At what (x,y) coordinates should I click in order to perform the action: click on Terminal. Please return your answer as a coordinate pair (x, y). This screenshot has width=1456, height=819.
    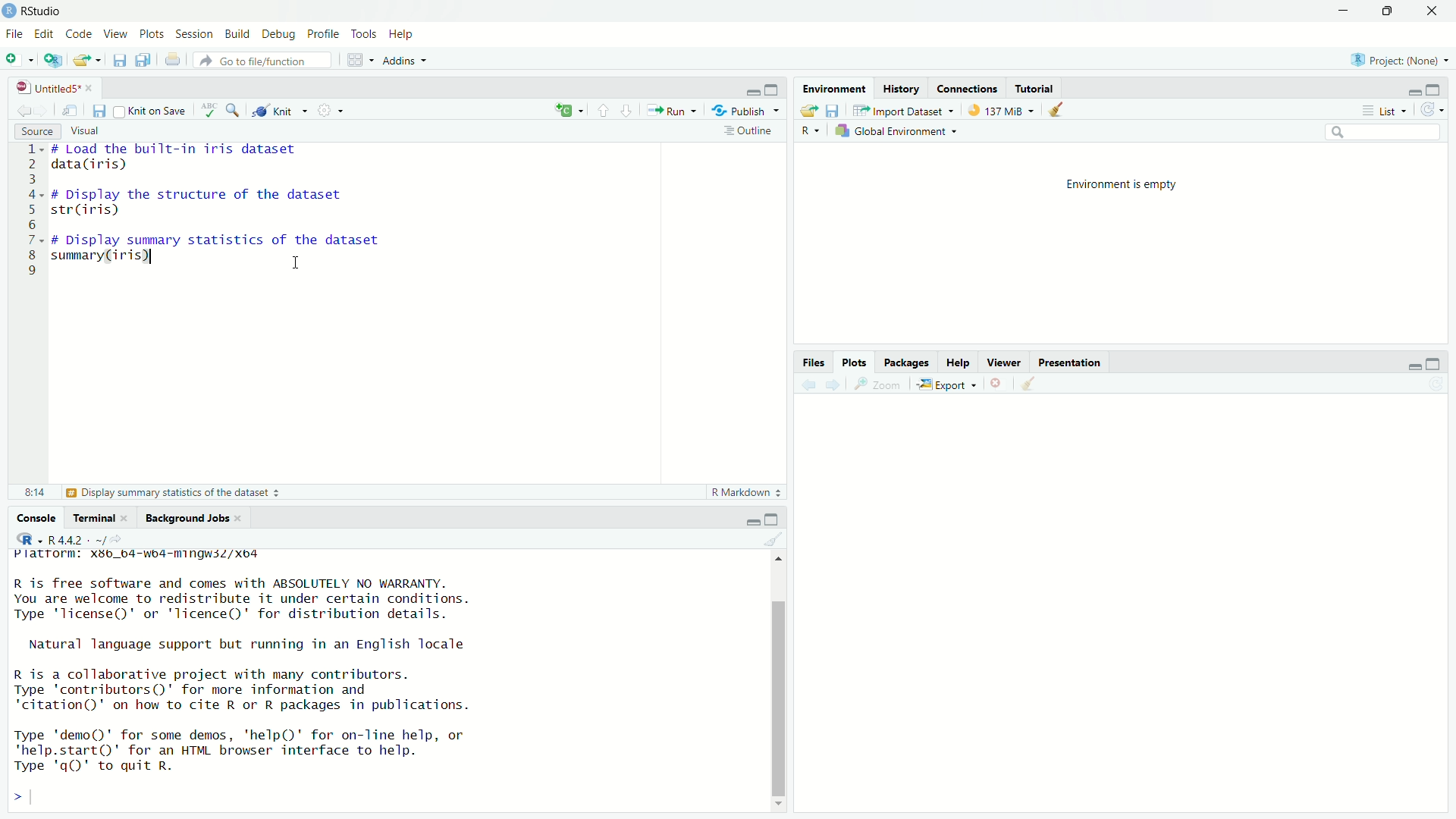
    Looking at the image, I should click on (103, 518).